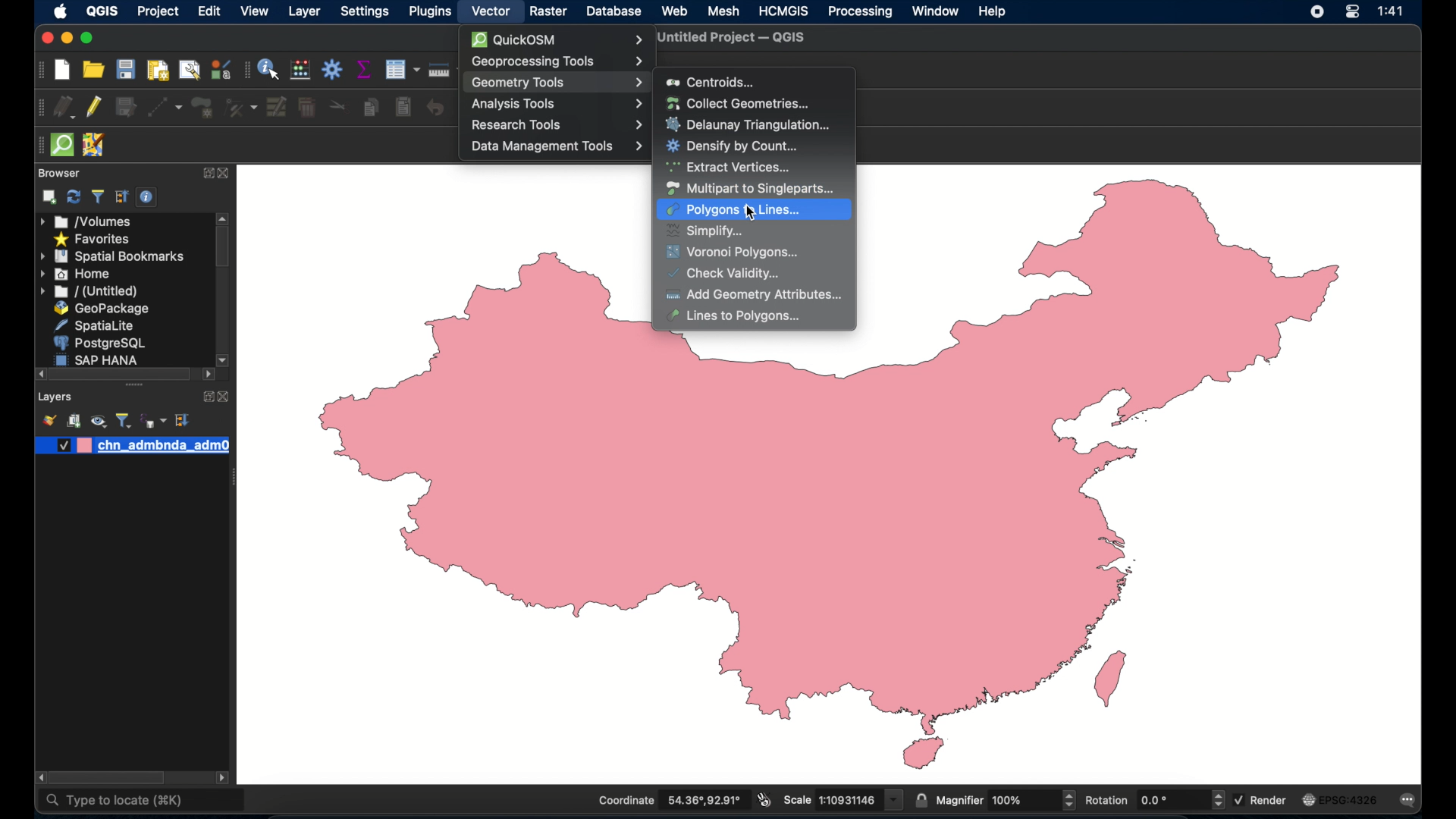 This screenshot has width=1456, height=819. What do you see at coordinates (764, 799) in the screenshot?
I see `toggle extents and mouse display position` at bounding box center [764, 799].